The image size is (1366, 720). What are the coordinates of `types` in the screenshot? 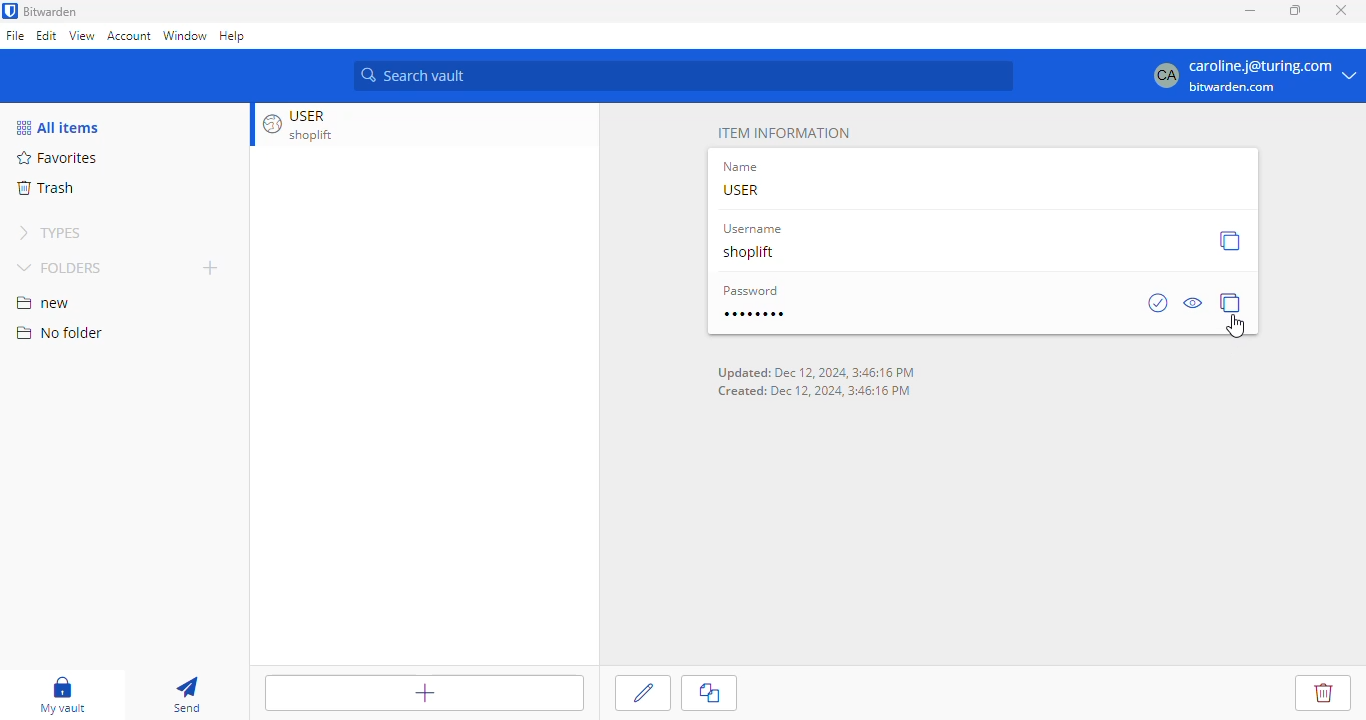 It's located at (50, 233).